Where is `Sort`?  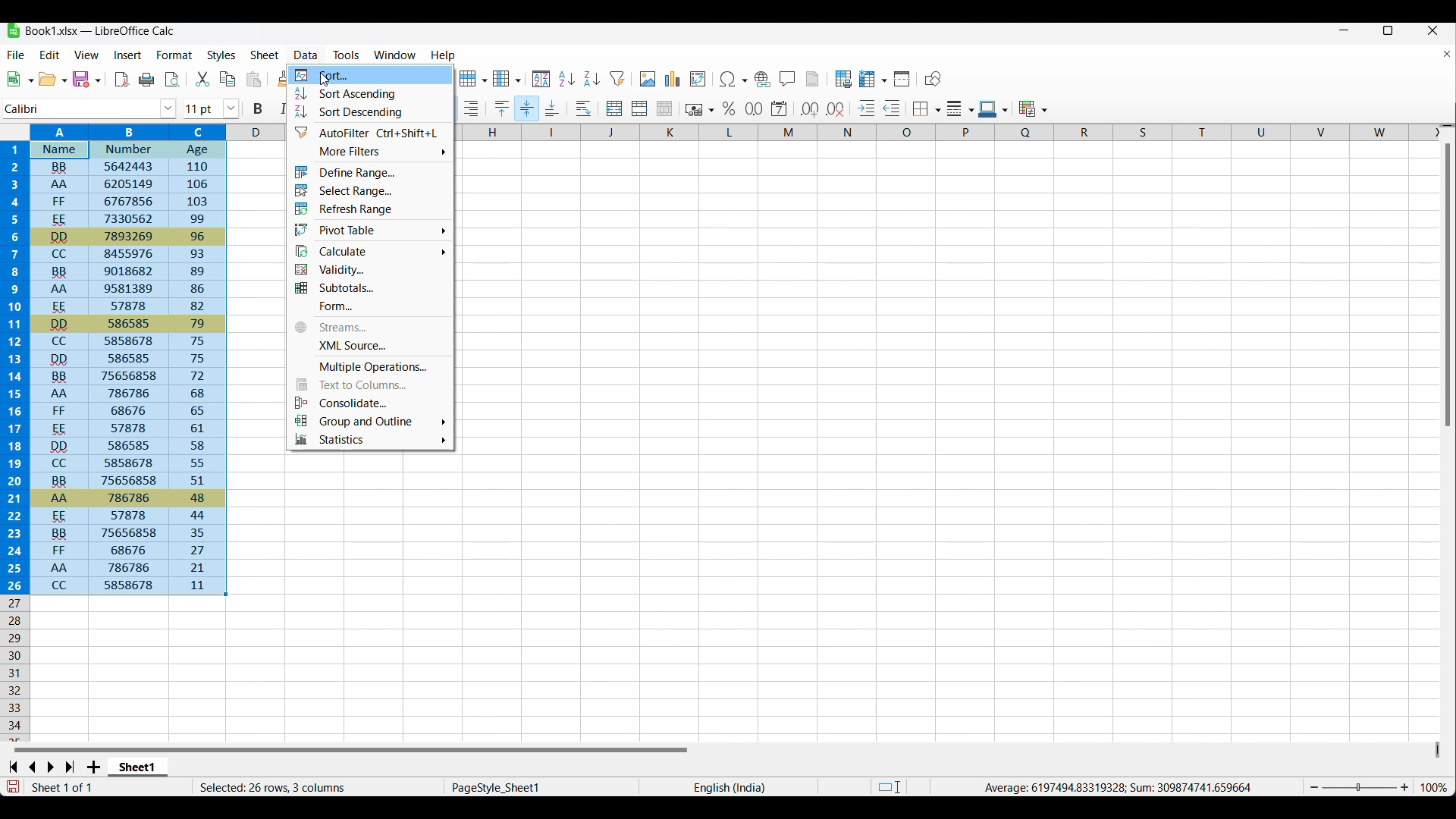 Sort is located at coordinates (541, 80).